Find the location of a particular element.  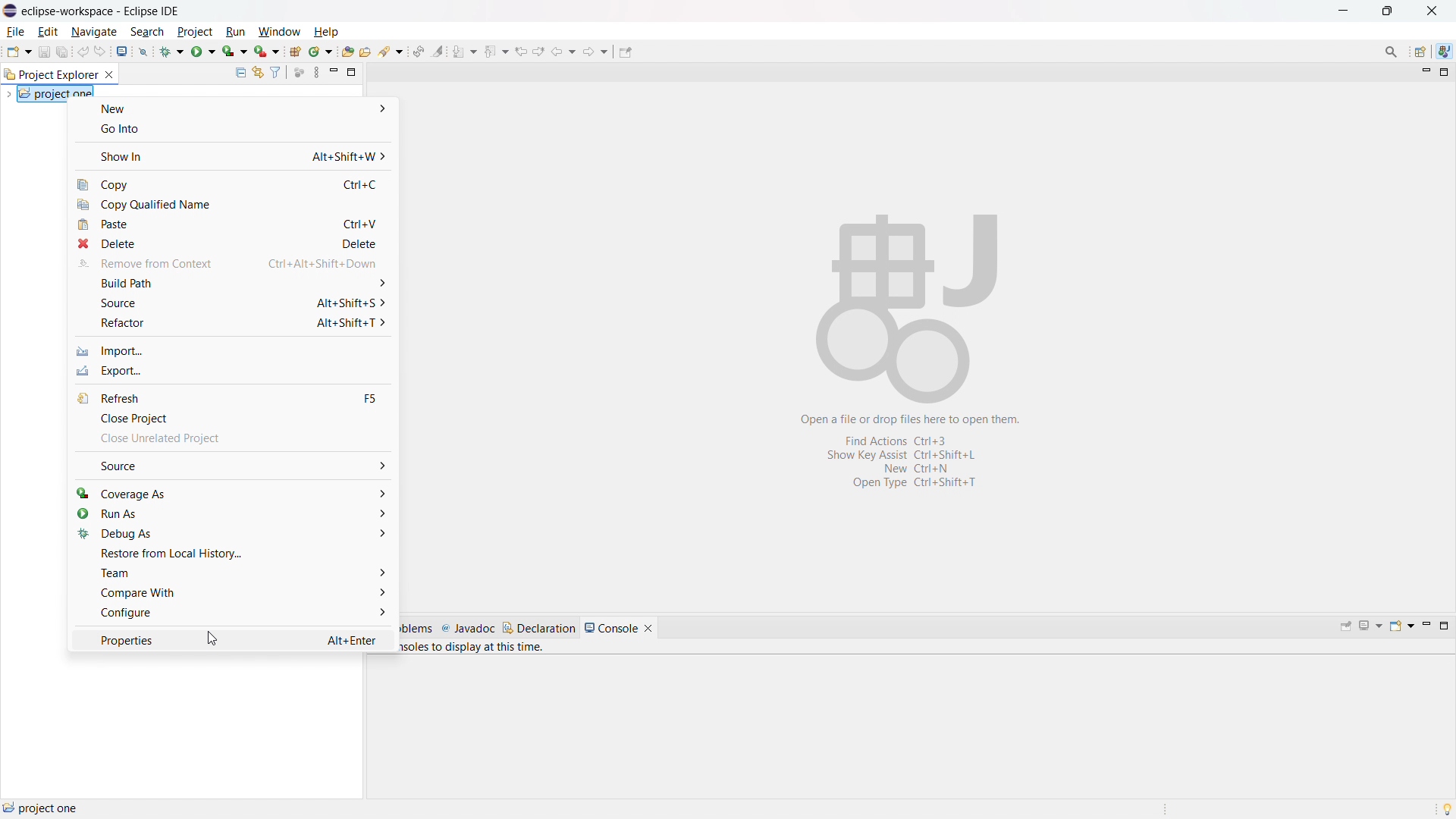

search is located at coordinates (148, 31).